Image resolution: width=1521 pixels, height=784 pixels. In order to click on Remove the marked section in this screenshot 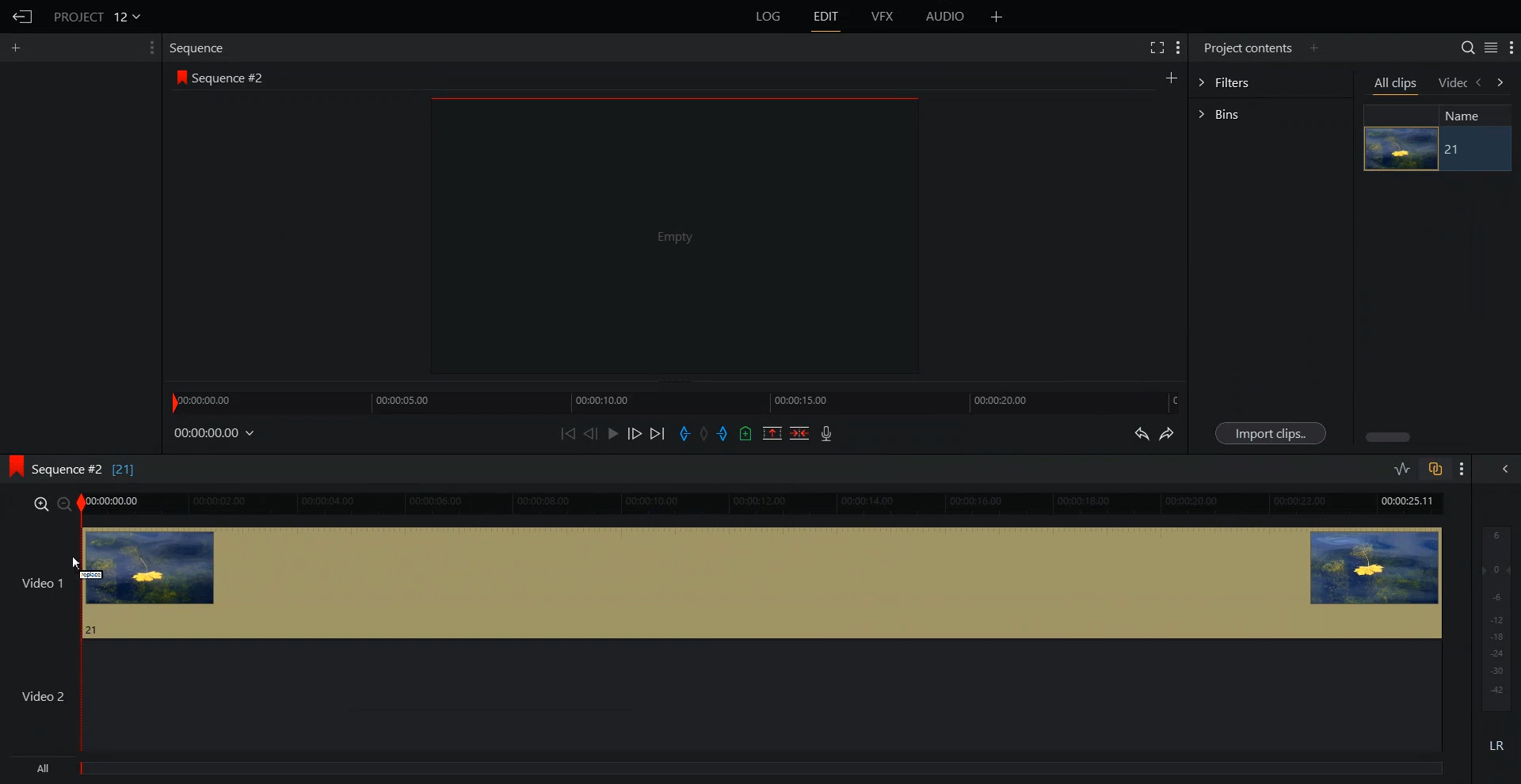, I will do `click(772, 433)`.